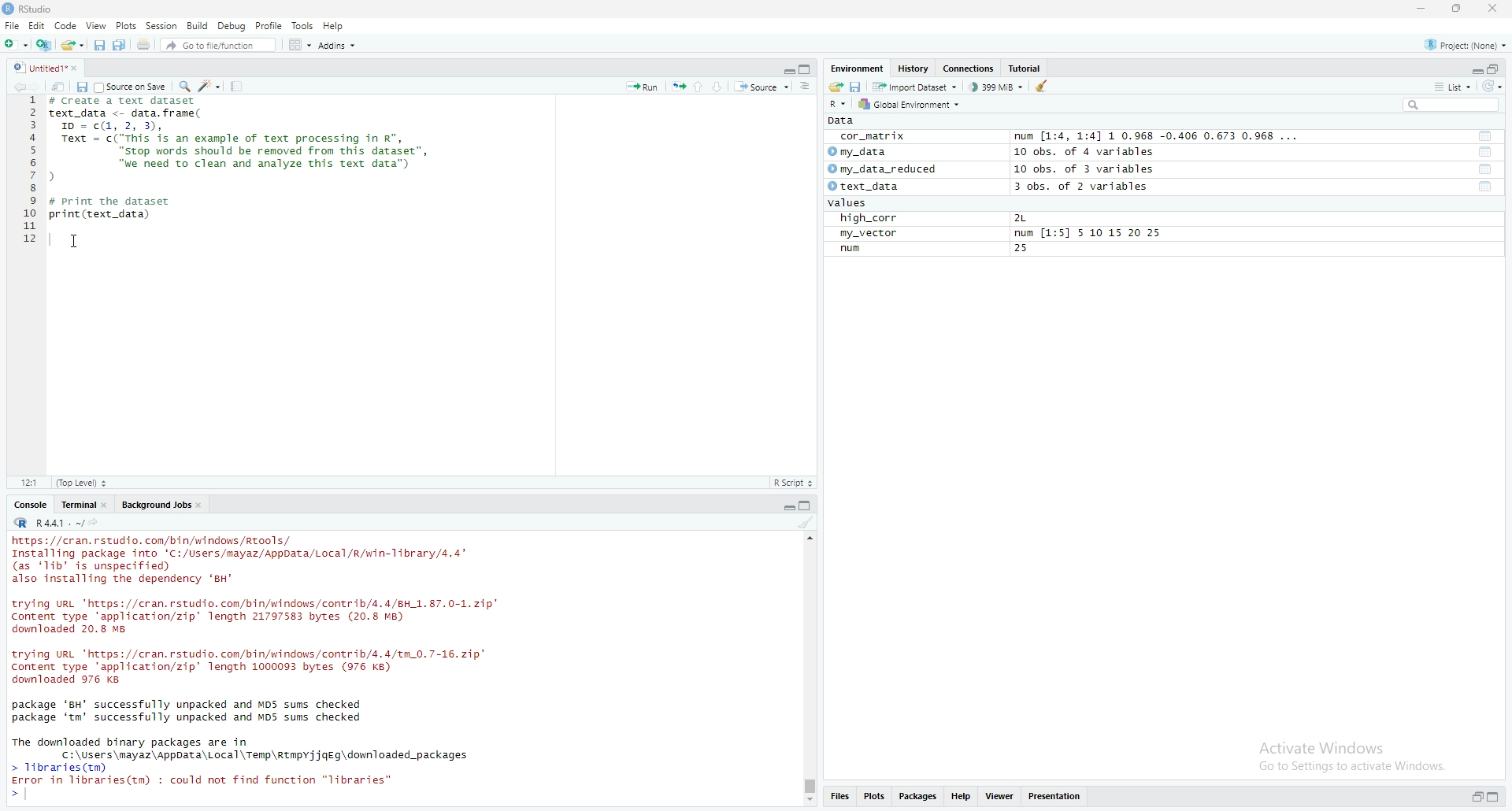 This screenshot has width=1512, height=811. What do you see at coordinates (304, 26) in the screenshot?
I see `tools` at bounding box center [304, 26].